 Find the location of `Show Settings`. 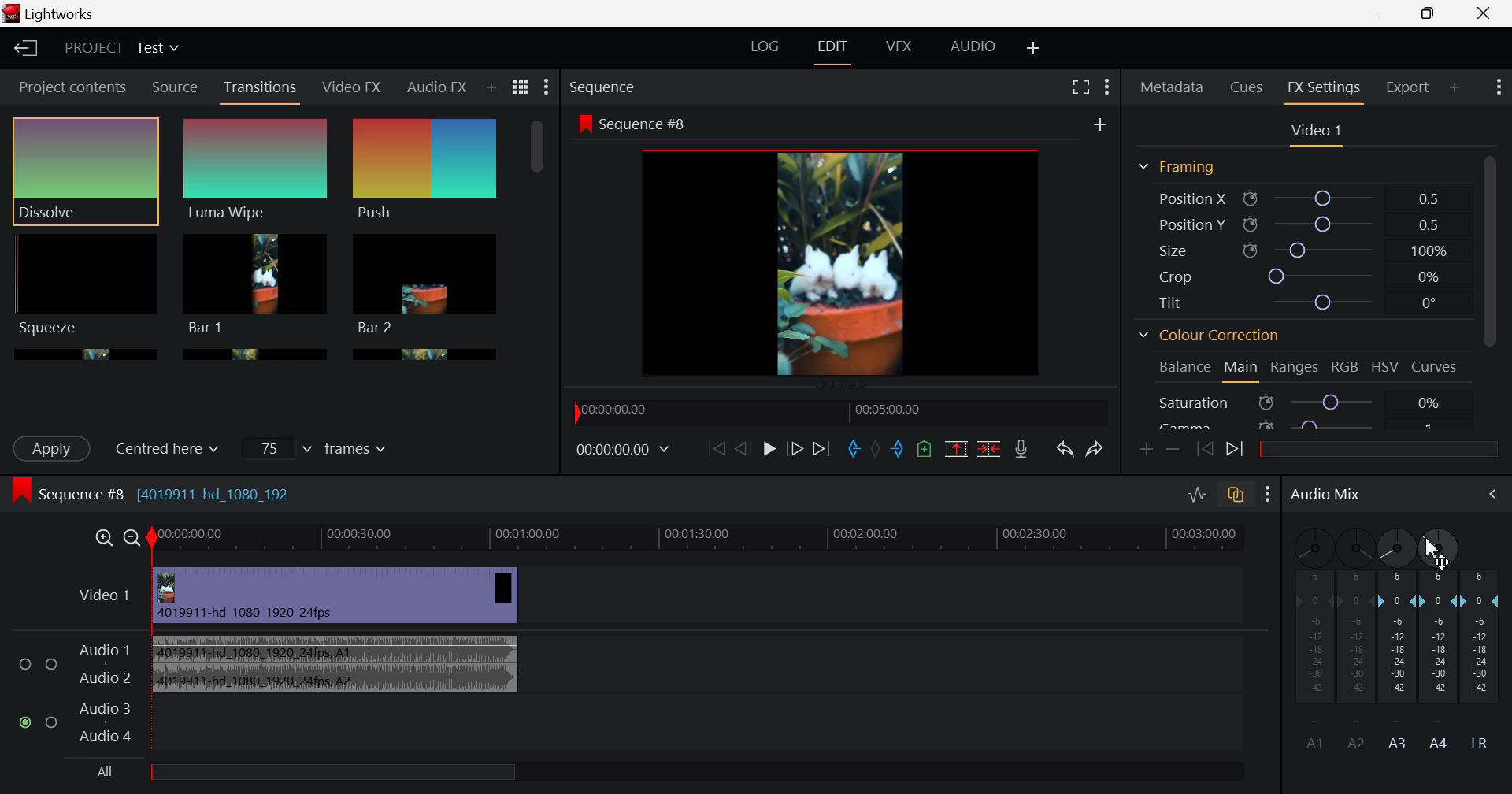

Show Settings is located at coordinates (1268, 496).